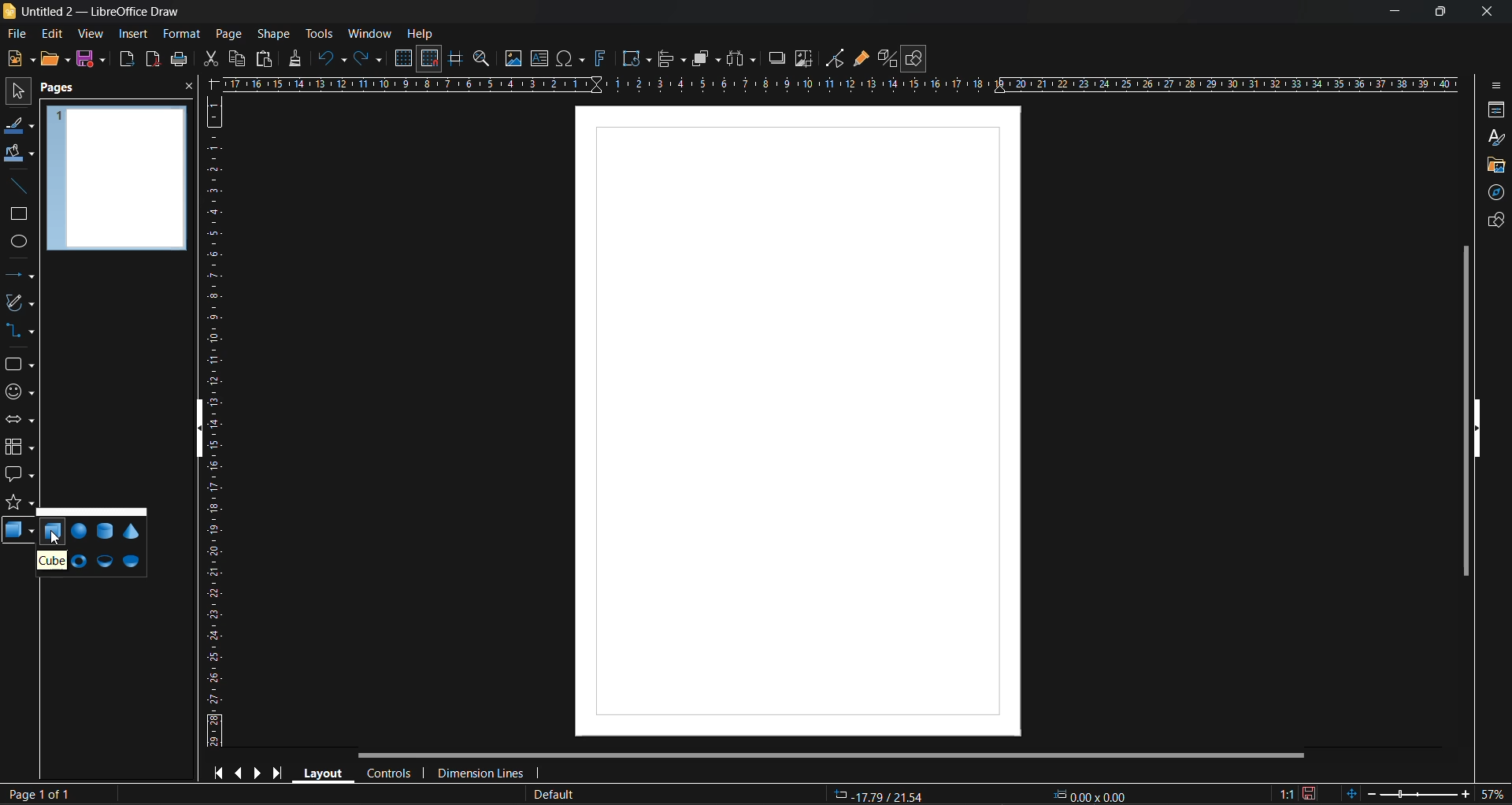  Describe the element at coordinates (19, 243) in the screenshot. I see `ellipse` at that location.